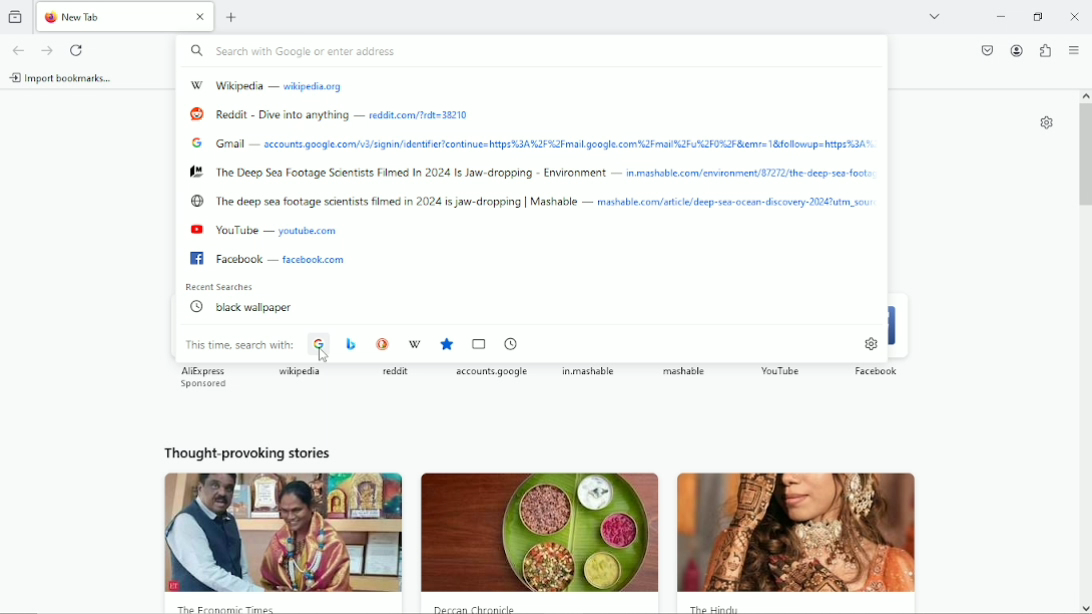  I want to click on you tube, so click(783, 371).